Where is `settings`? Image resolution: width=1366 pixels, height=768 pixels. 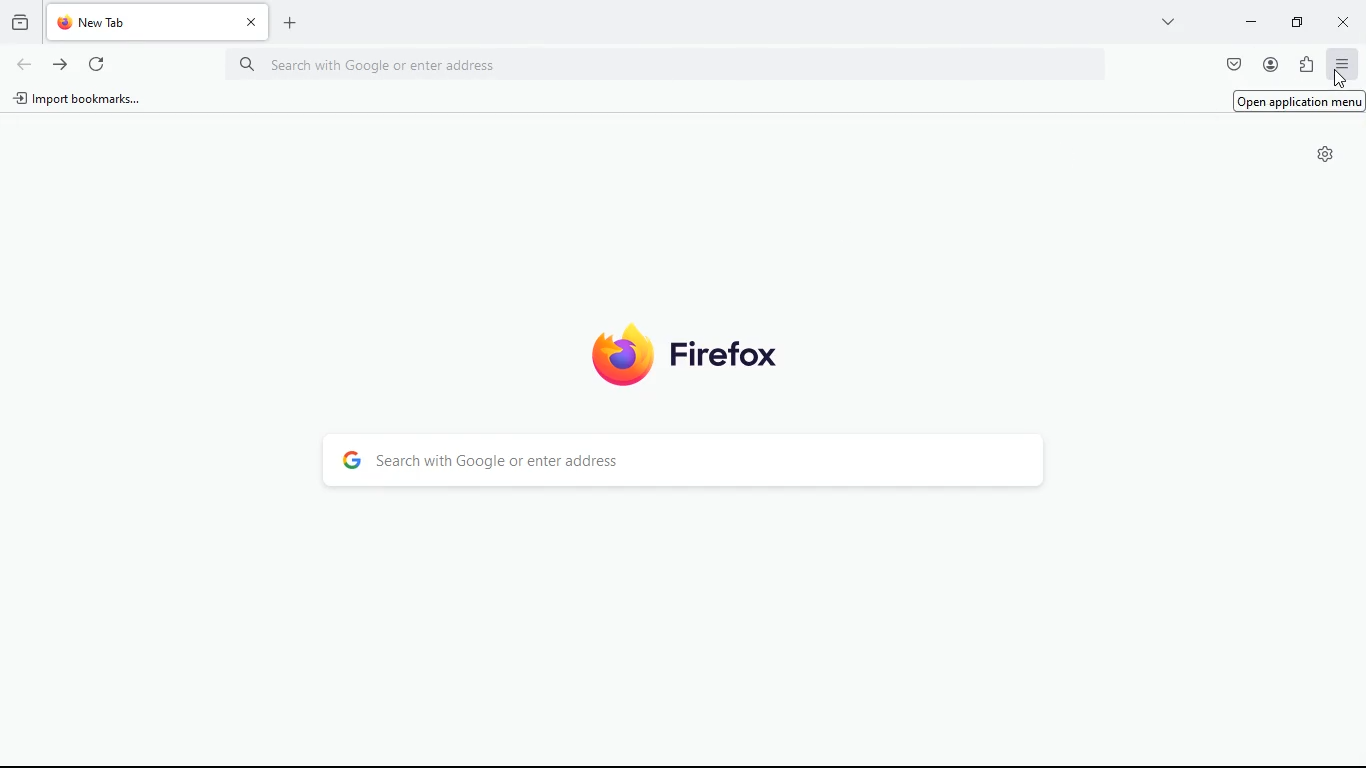 settings is located at coordinates (1323, 154).